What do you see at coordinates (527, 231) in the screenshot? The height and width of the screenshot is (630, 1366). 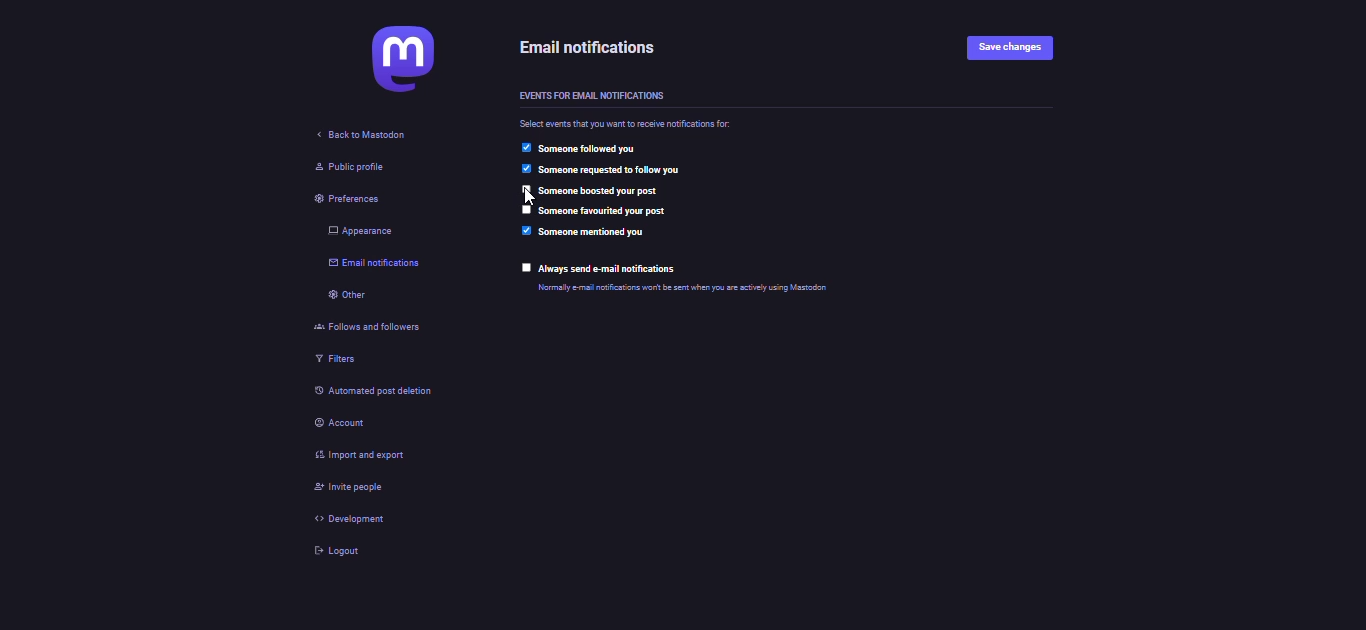 I see `enabled` at bounding box center [527, 231].